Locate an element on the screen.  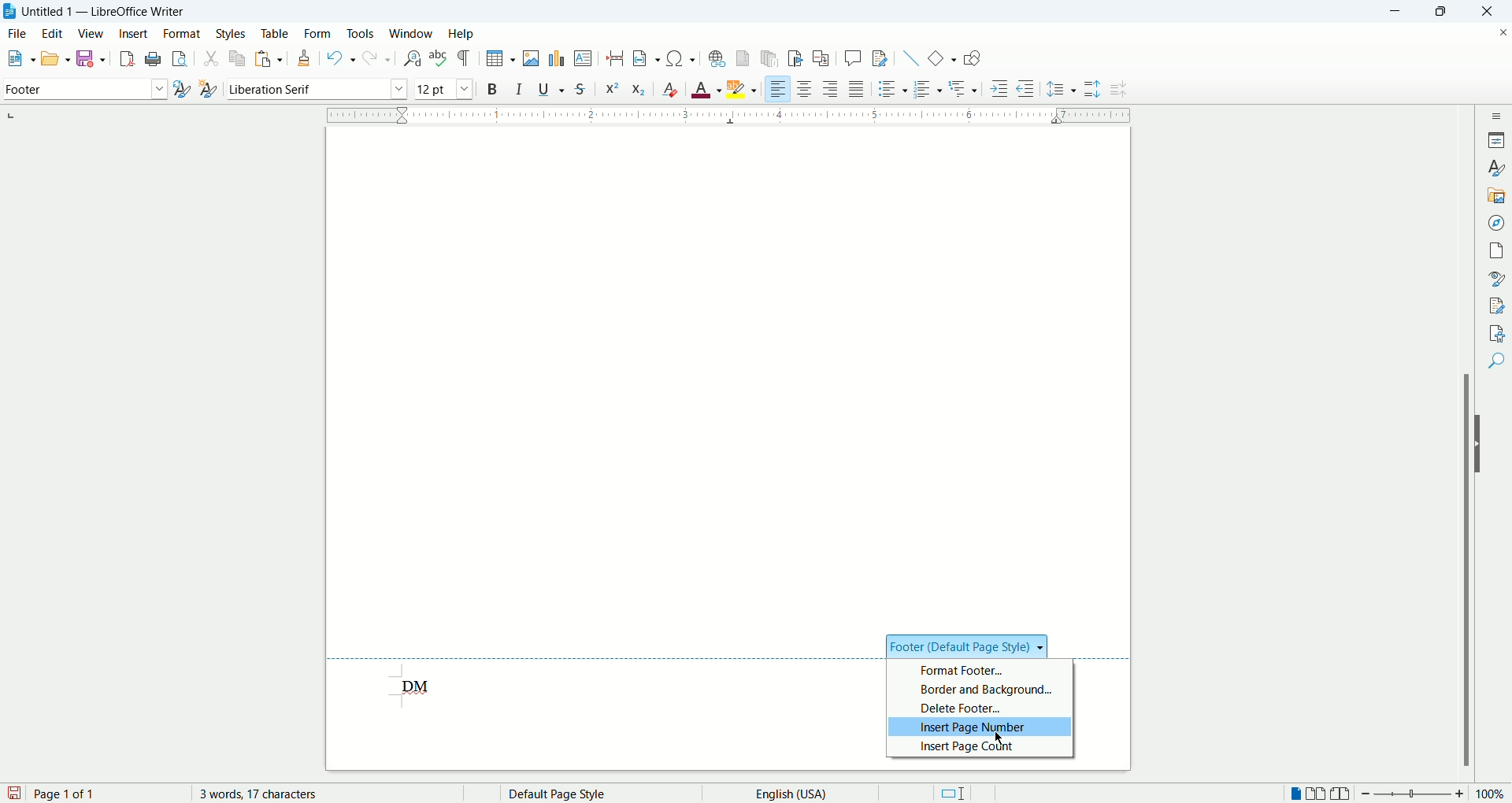
print preview is located at coordinates (180, 60).